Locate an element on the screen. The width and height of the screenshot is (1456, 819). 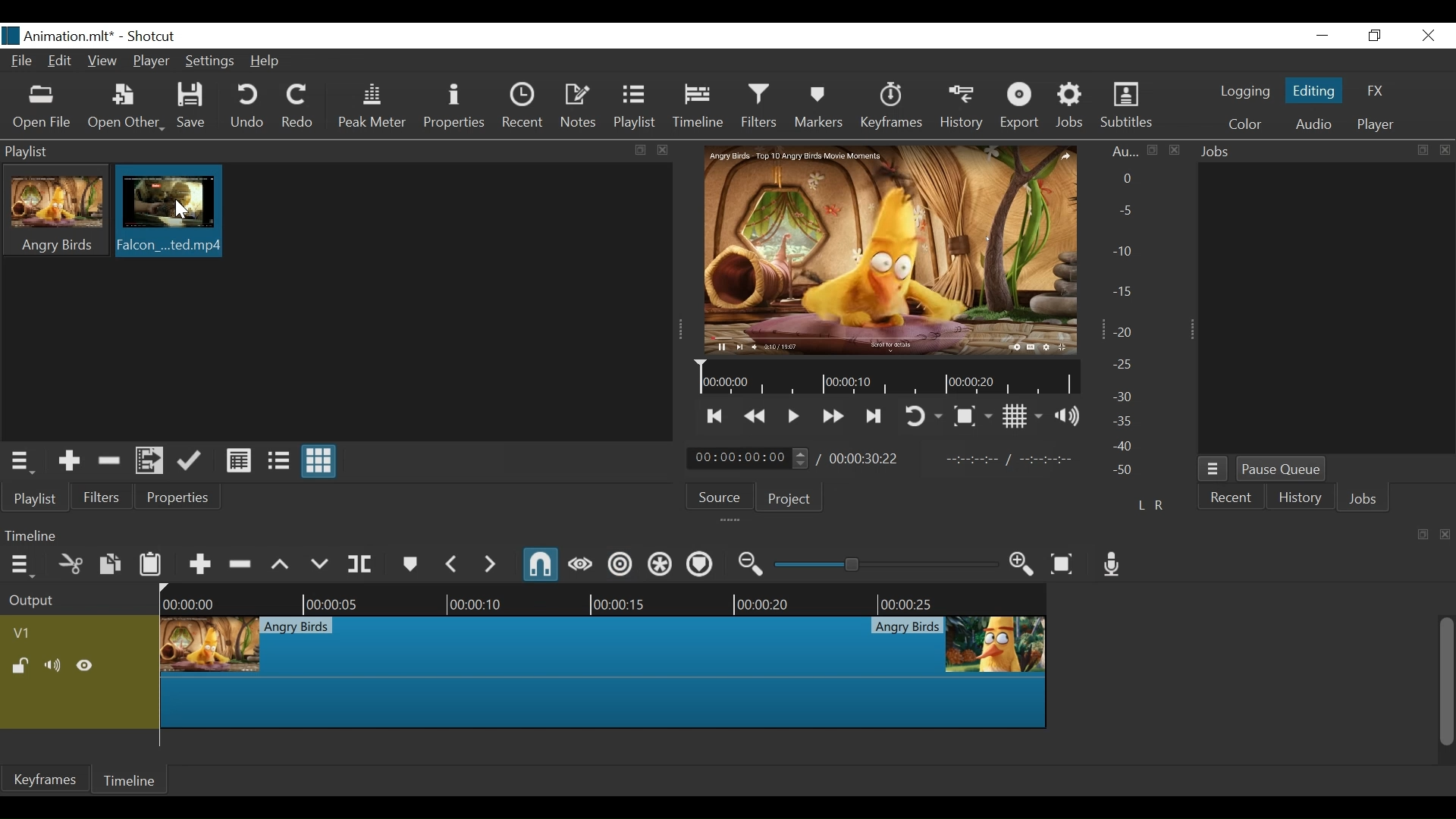
Filters is located at coordinates (758, 106).